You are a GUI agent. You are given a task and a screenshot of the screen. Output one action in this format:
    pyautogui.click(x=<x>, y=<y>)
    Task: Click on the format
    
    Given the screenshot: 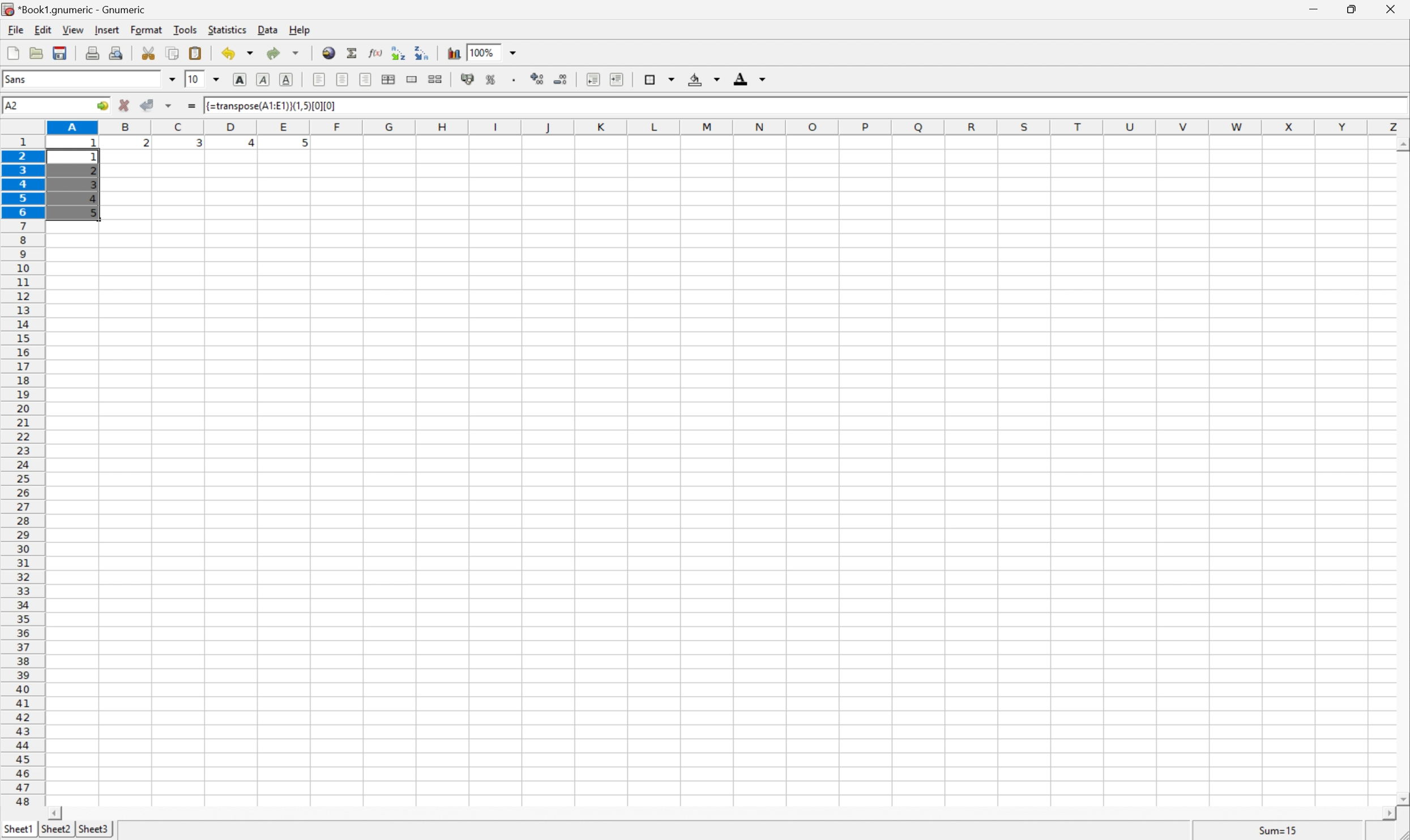 What is the action you would take?
    pyautogui.click(x=144, y=30)
    